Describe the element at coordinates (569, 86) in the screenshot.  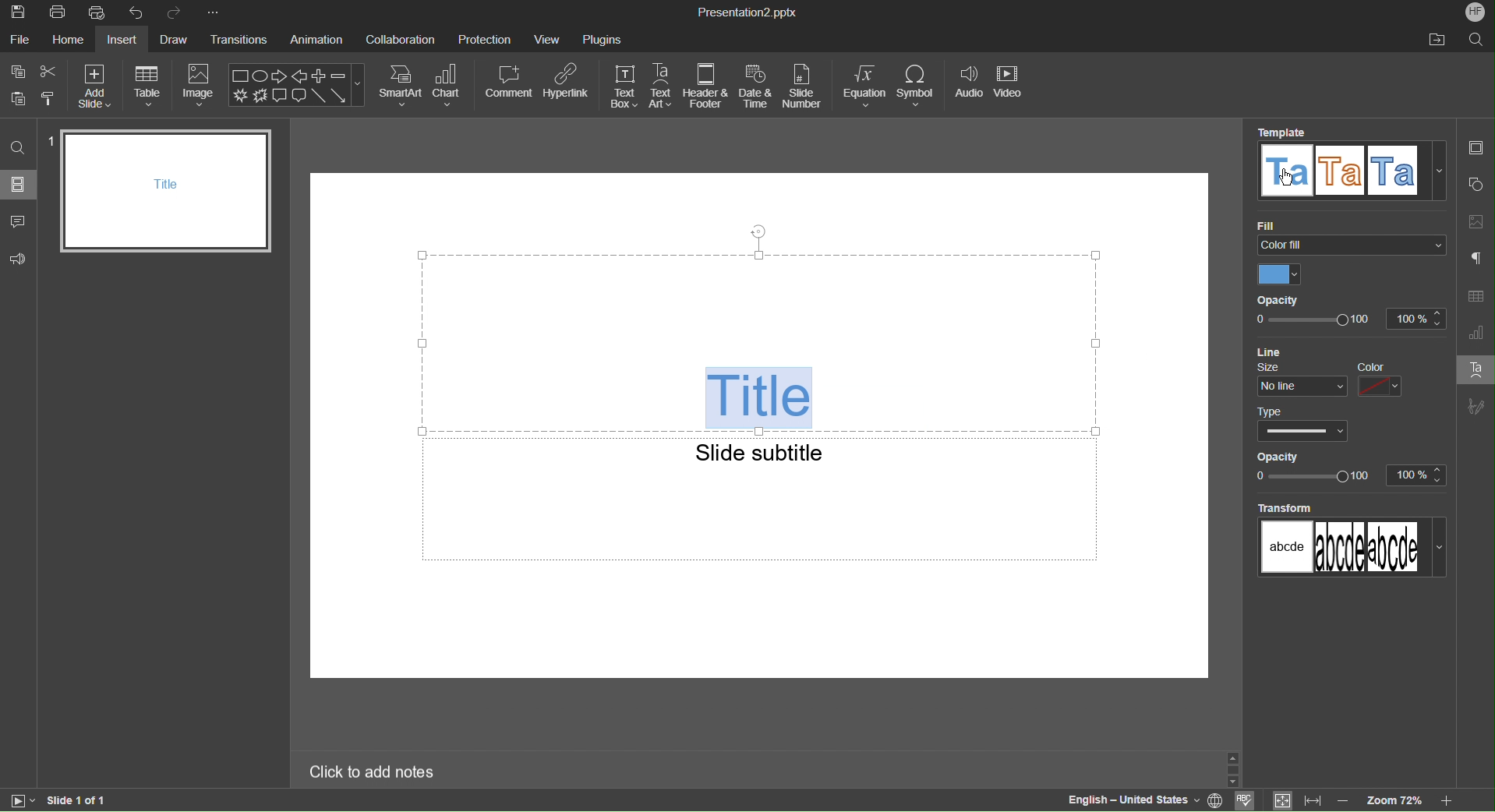
I see `Hyperlink` at that location.